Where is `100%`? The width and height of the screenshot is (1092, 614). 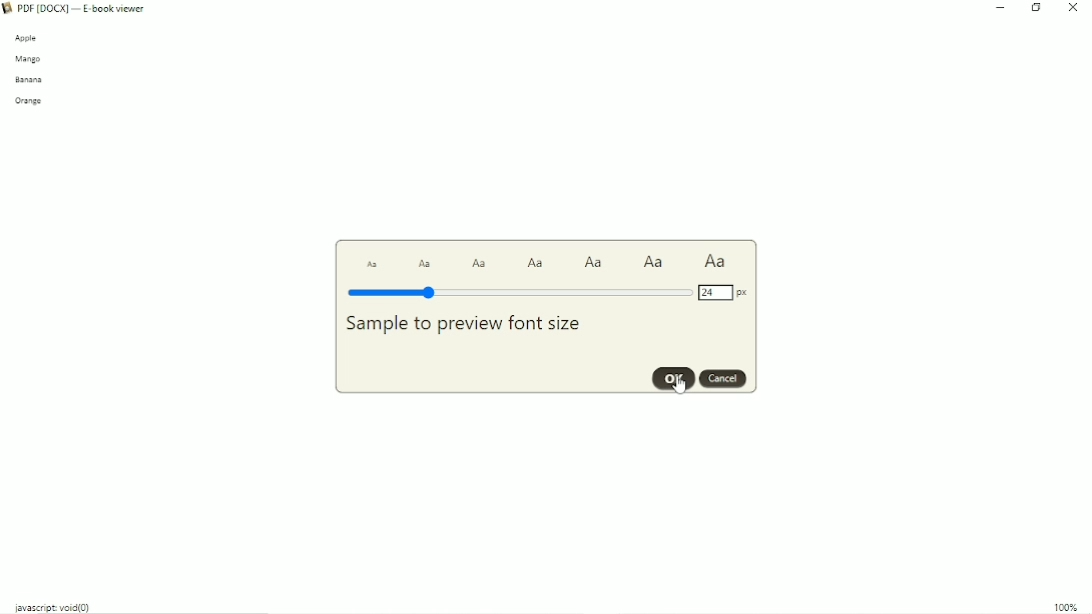
100% is located at coordinates (1067, 606).